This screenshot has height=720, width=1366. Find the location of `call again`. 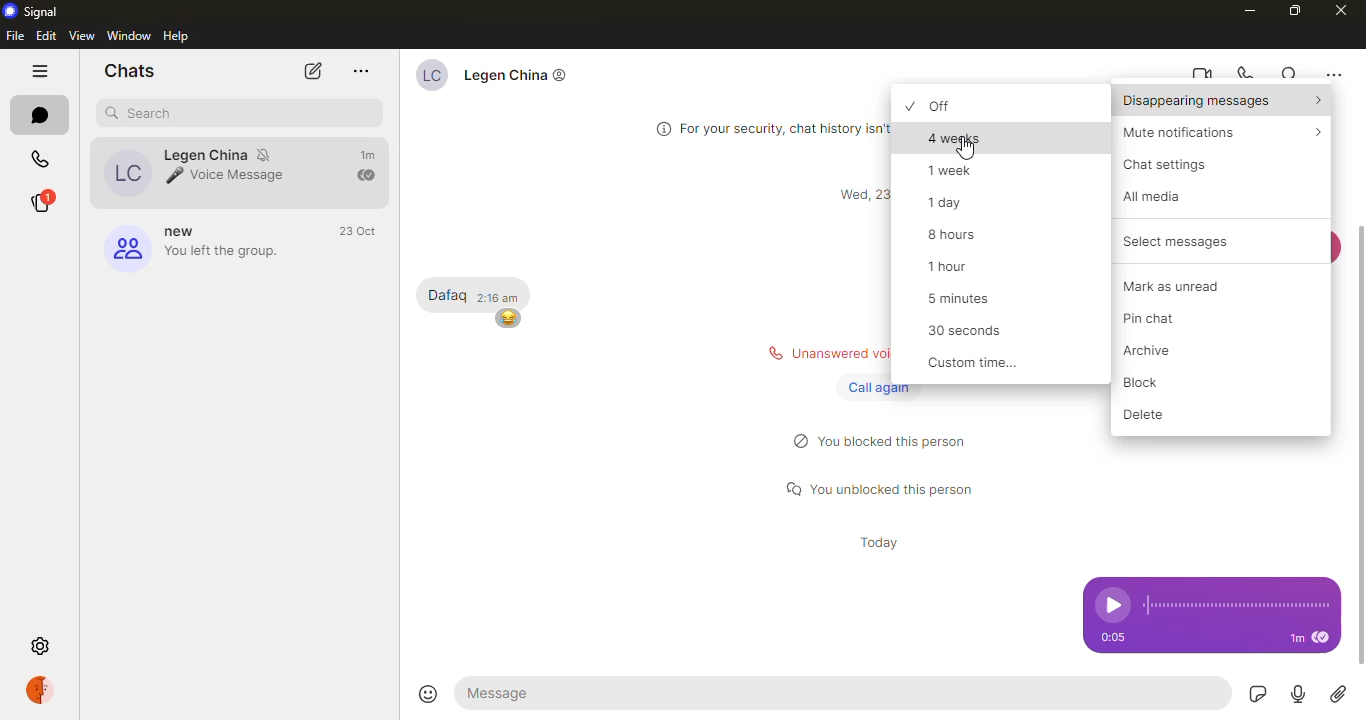

call again is located at coordinates (875, 387).